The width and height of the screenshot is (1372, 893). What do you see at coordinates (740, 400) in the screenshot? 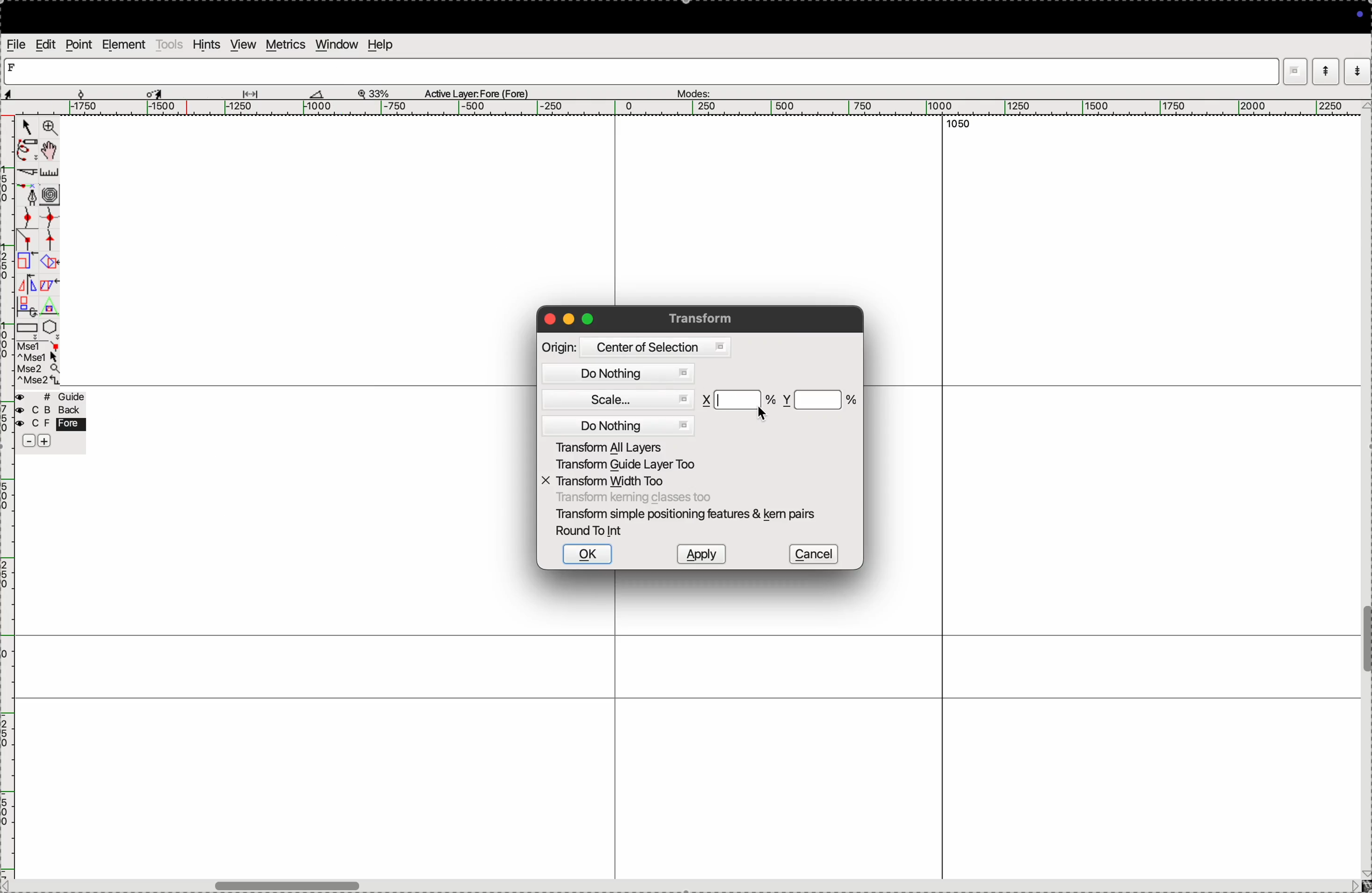
I see `text box for x scale %` at bounding box center [740, 400].